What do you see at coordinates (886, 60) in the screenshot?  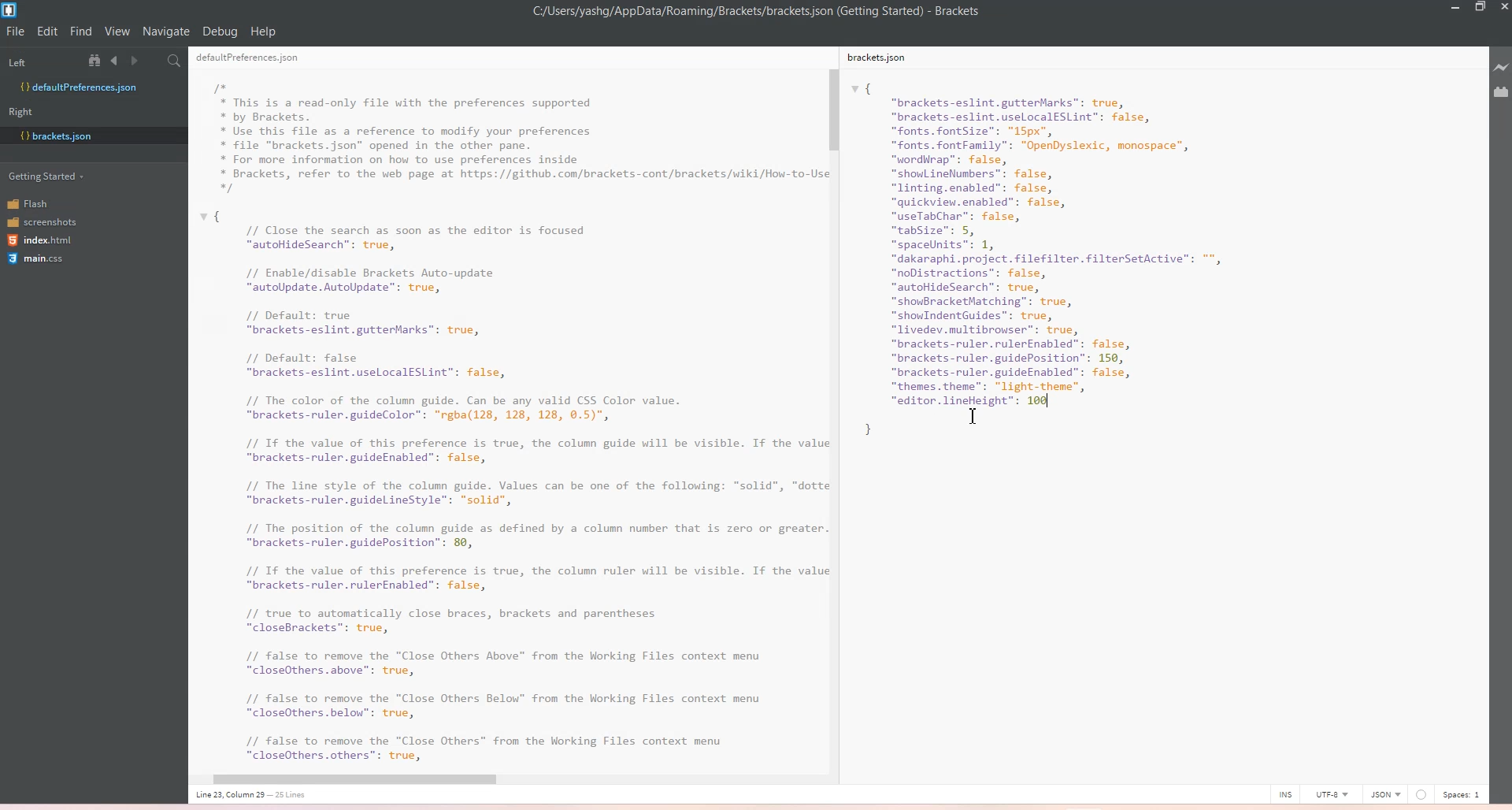 I see `brackets.json` at bounding box center [886, 60].